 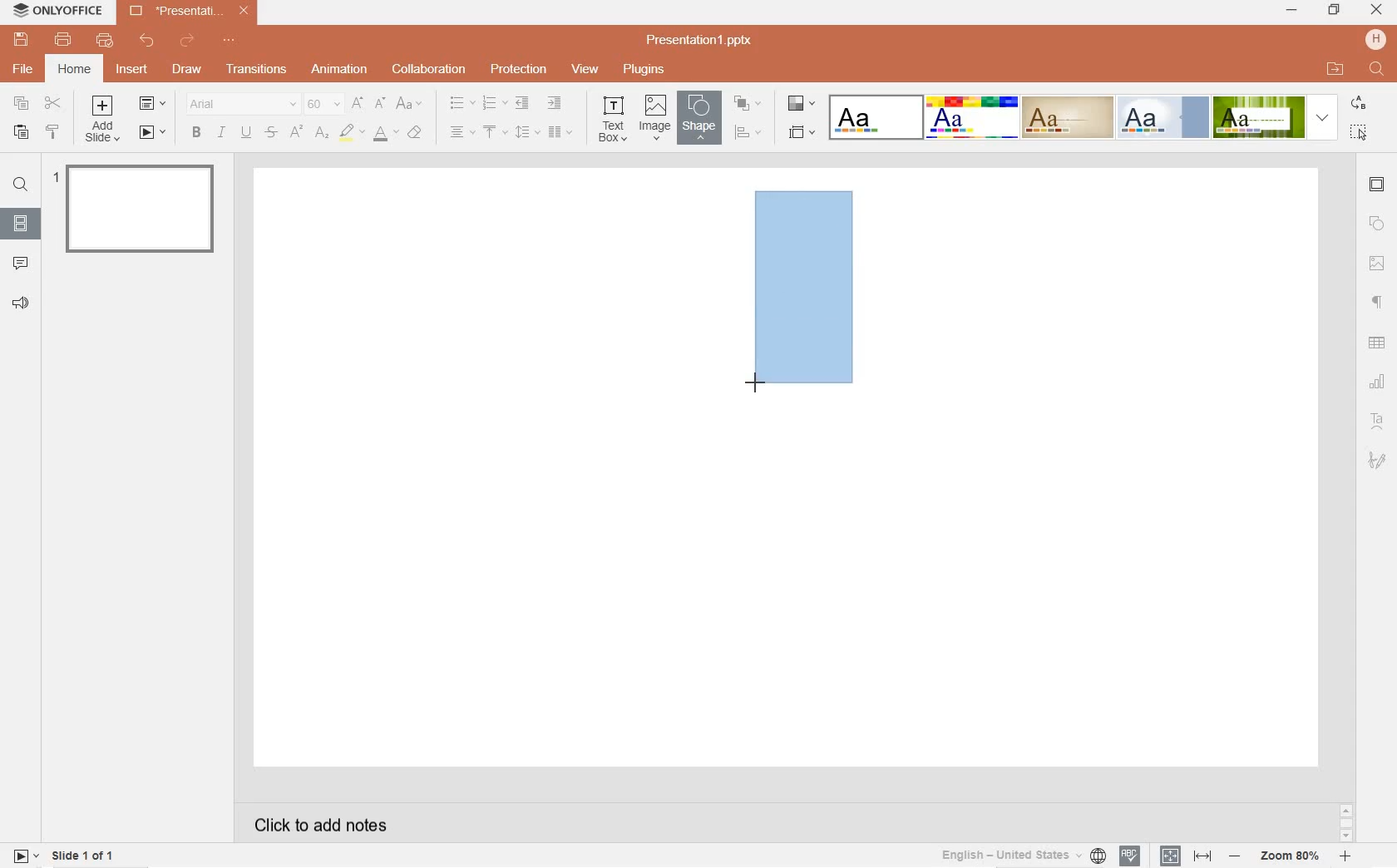 What do you see at coordinates (876, 116) in the screenshot?
I see `Blank` at bounding box center [876, 116].